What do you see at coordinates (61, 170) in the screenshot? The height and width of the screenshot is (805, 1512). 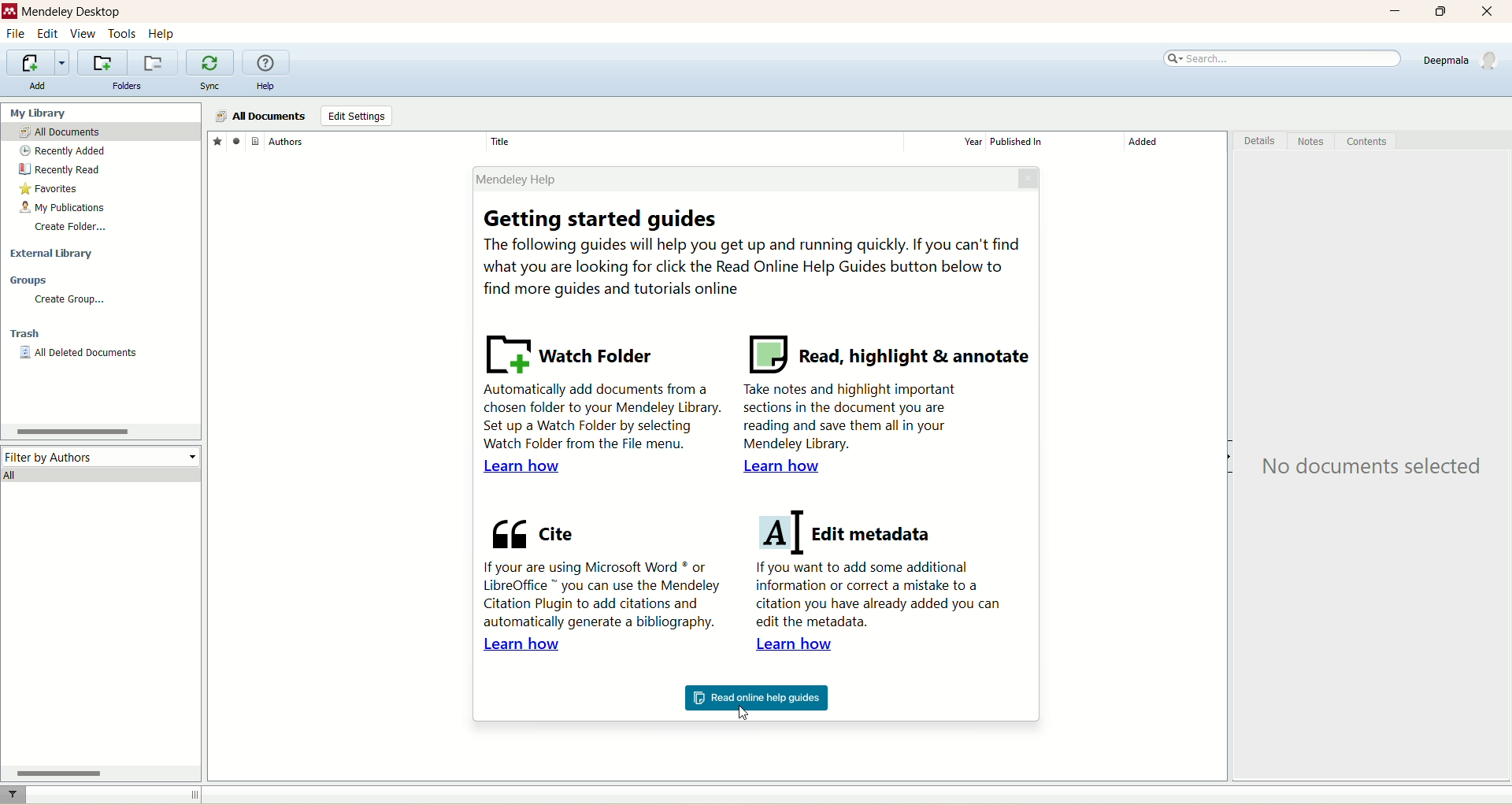 I see `recently read` at bounding box center [61, 170].